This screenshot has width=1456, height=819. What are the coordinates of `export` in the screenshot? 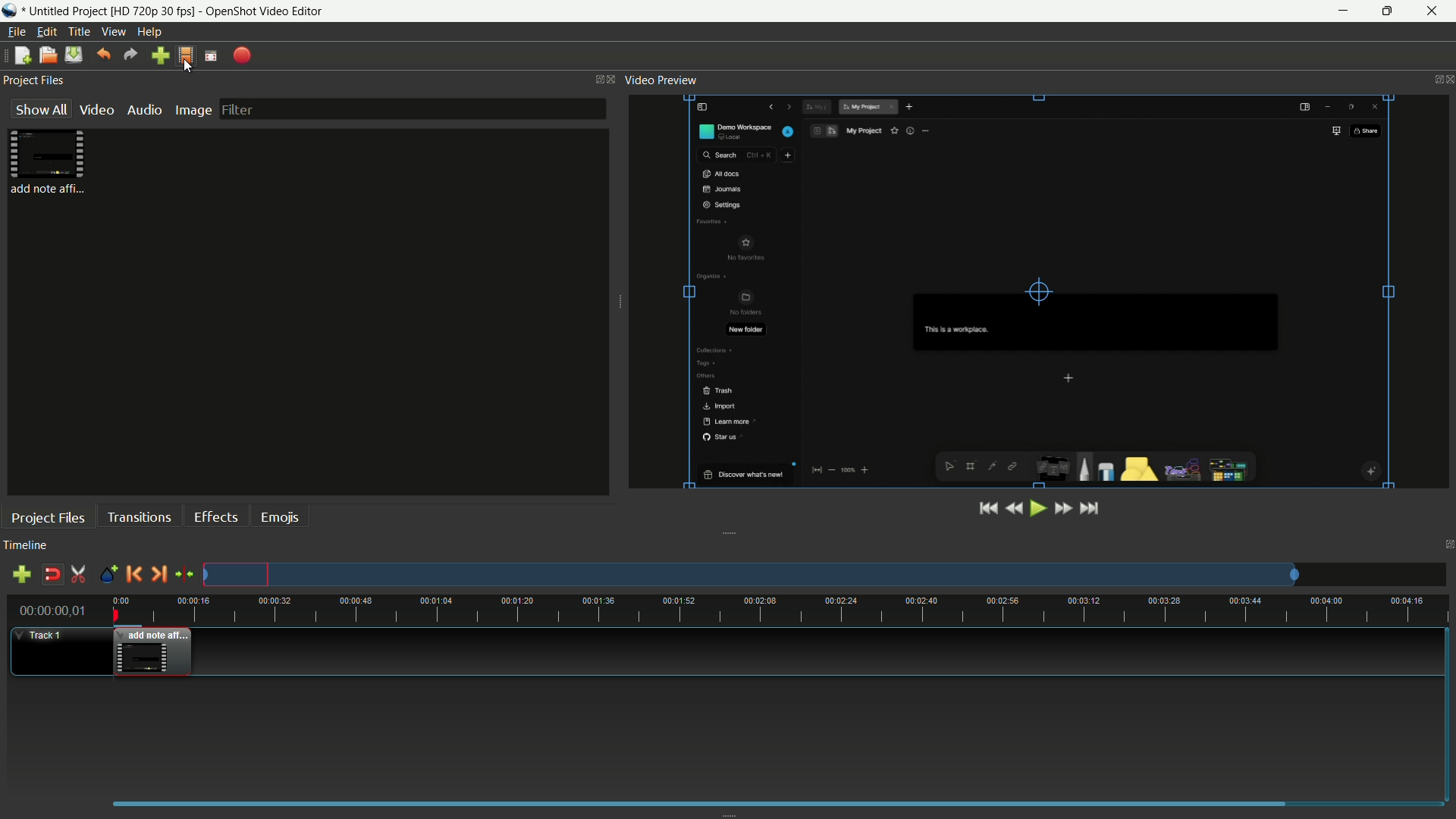 It's located at (241, 57).